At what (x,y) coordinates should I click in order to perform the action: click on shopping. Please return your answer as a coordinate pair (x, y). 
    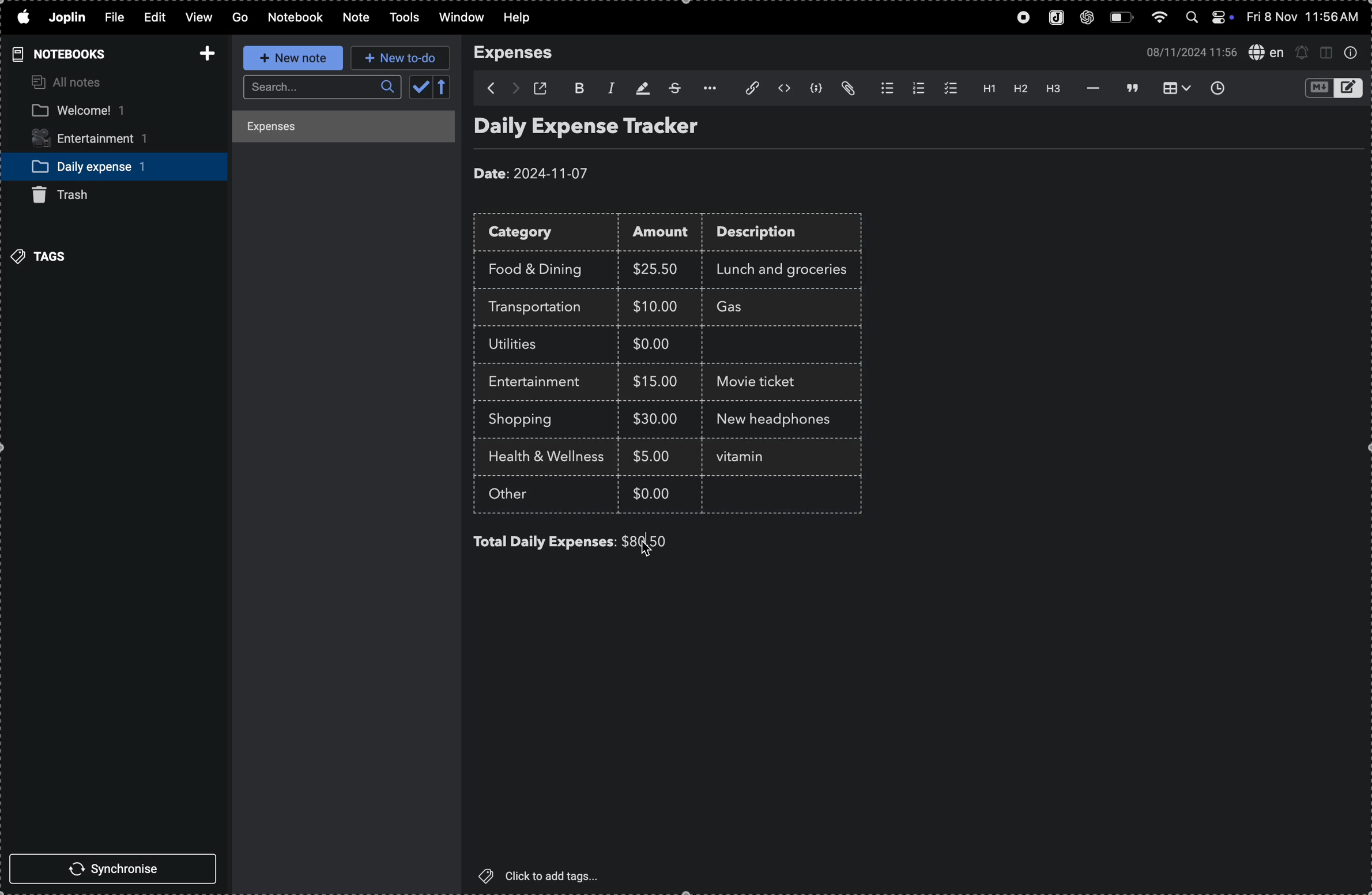
    Looking at the image, I should click on (529, 420).